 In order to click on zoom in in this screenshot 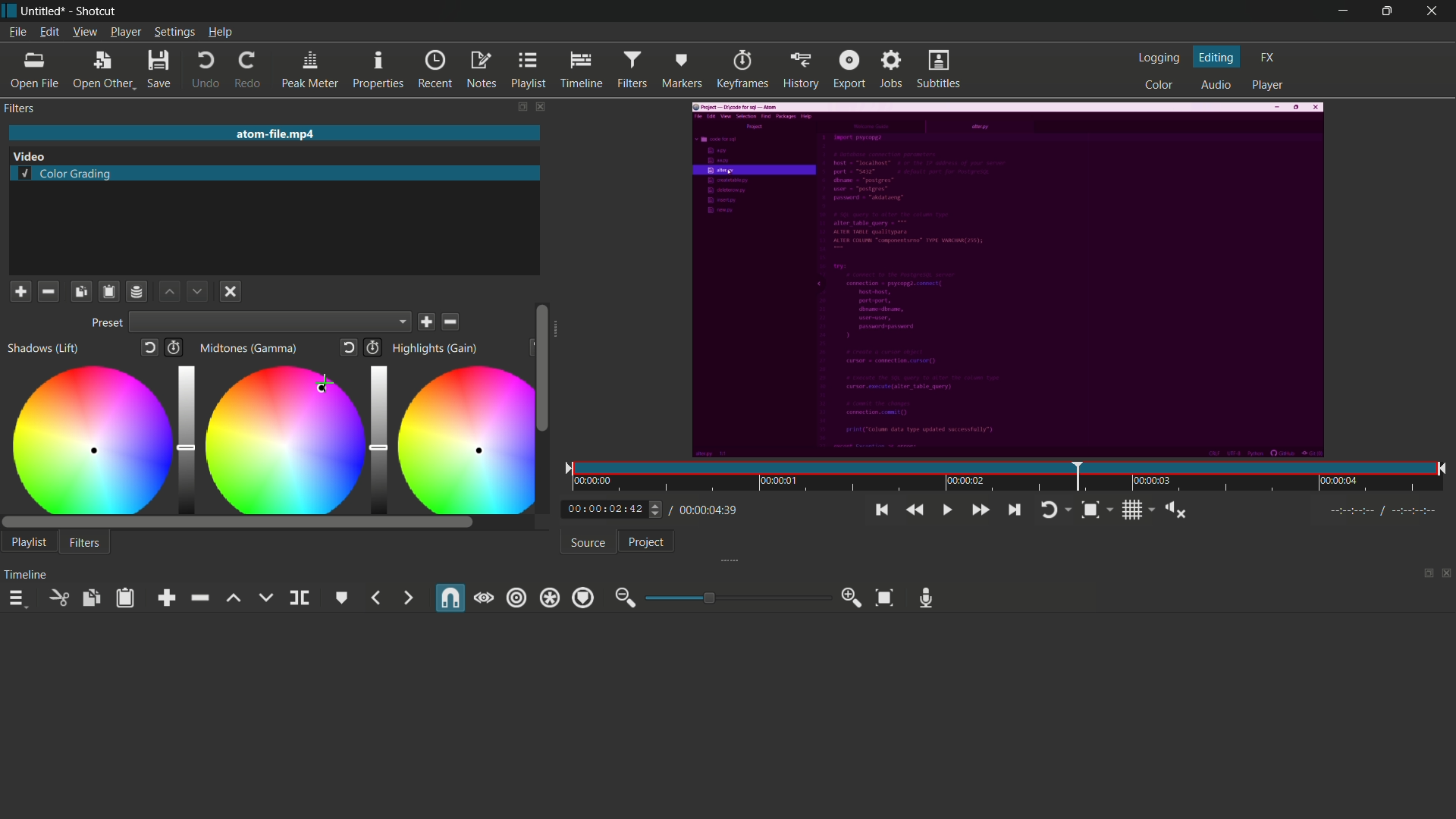, I will do `click(852, 598)`.